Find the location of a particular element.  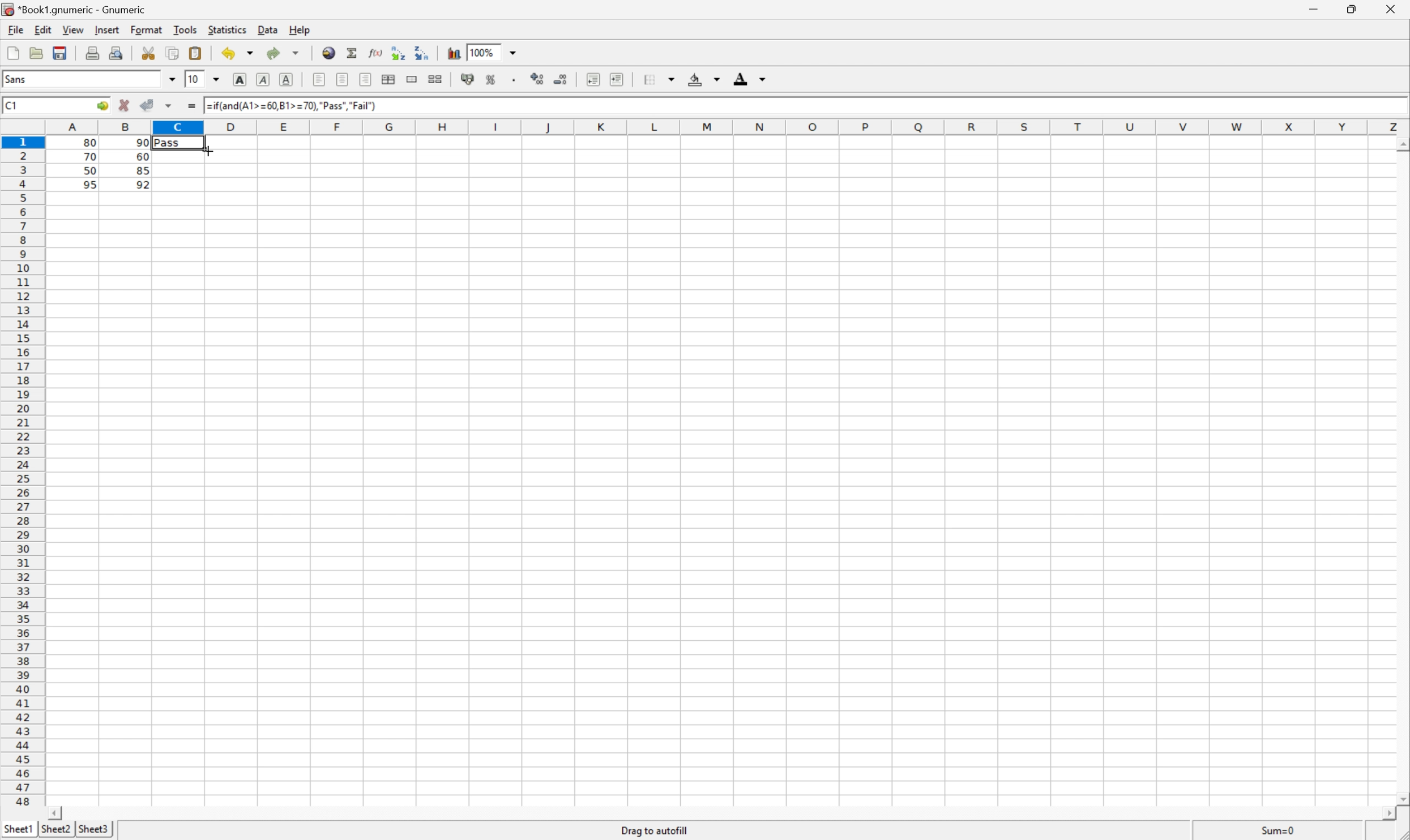

Close is located at coordinates (1392, 8).